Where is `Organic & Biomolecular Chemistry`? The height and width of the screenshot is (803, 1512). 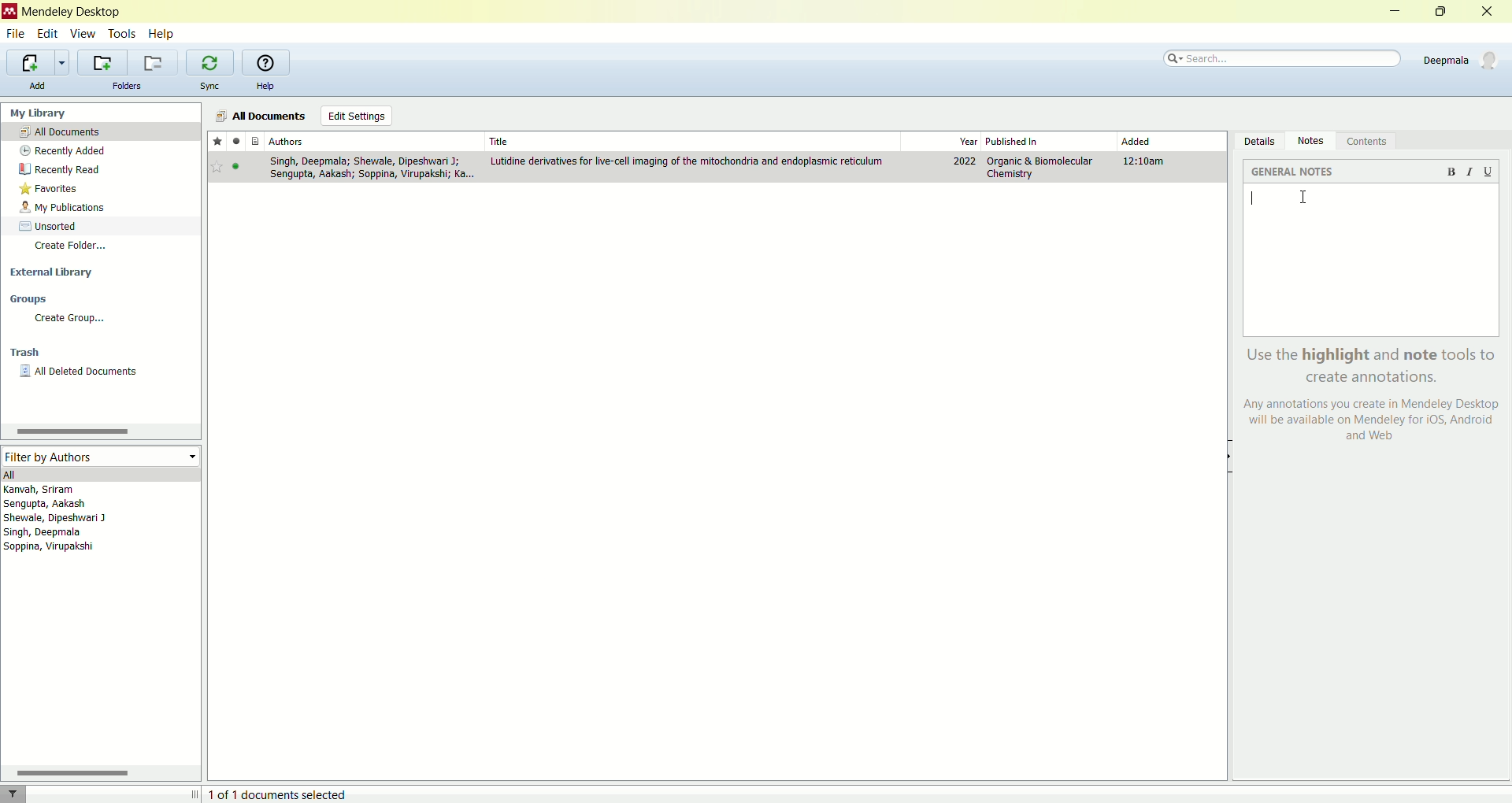
Organic & Biomolecular Chemistry is located at coordinates (1039, 167).